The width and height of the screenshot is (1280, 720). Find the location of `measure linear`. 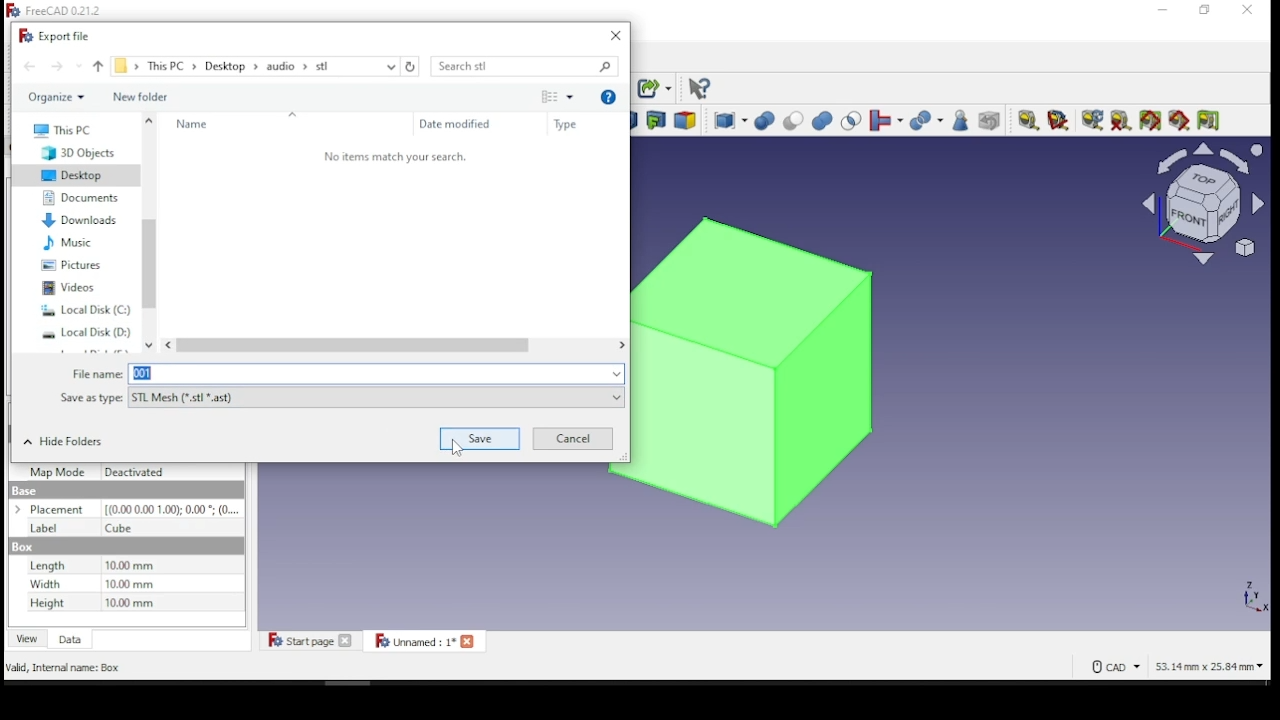

measure linear is located at coordinates (1029, 120).